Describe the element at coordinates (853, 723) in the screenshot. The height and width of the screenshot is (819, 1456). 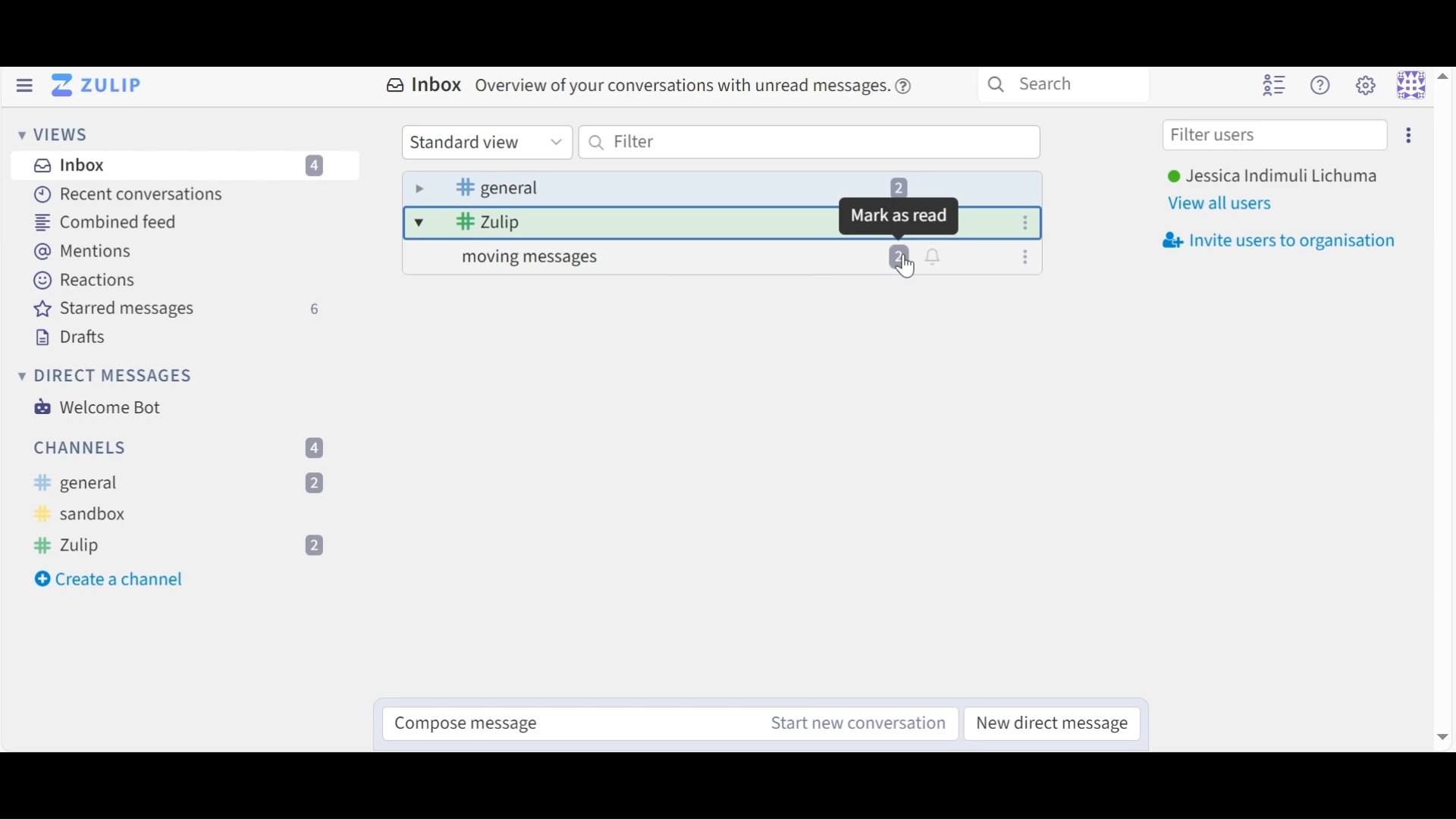
I see `New Channel message` at that location.